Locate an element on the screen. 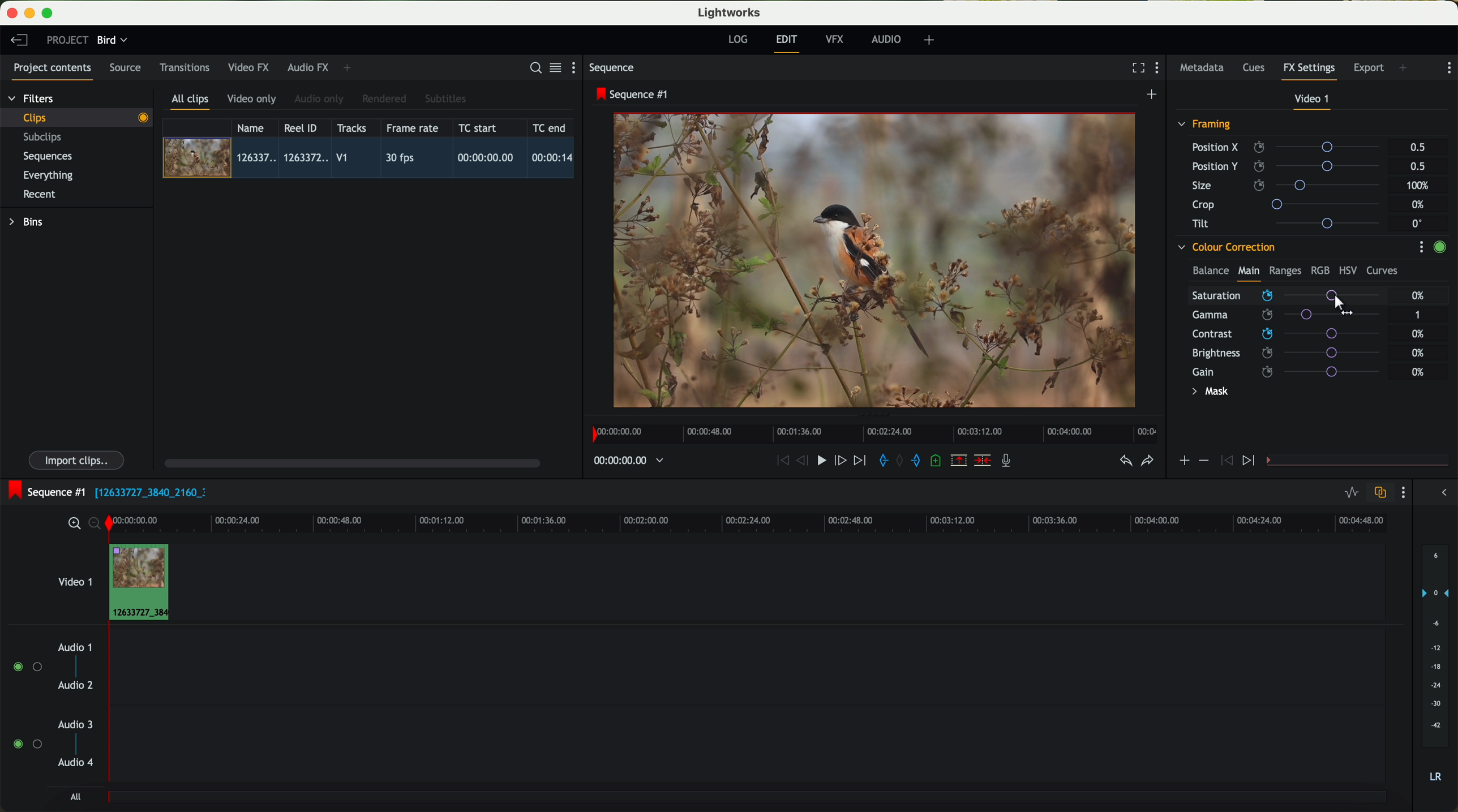  import clips is located at coordinates (78, 459).